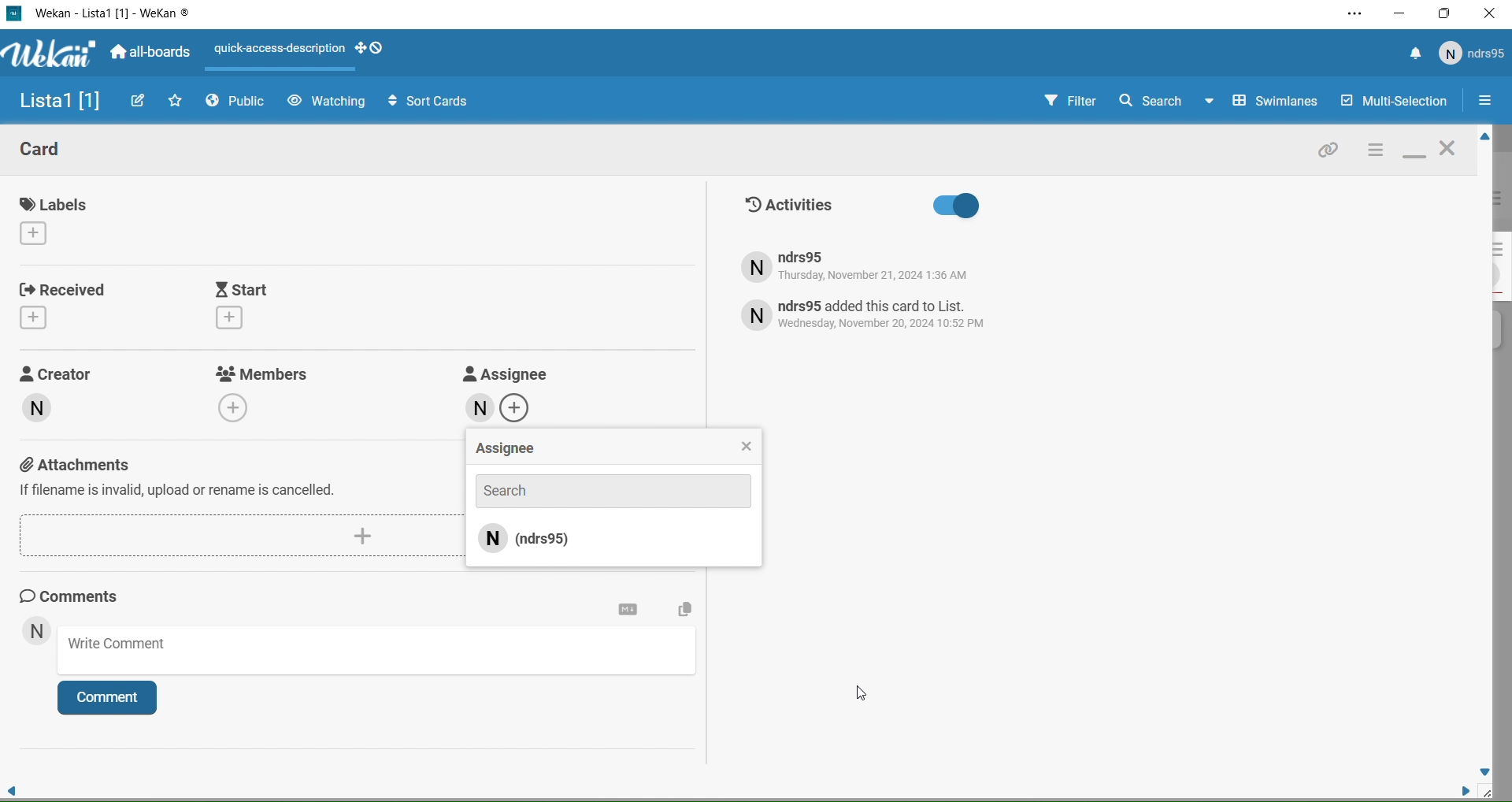  Describe the element at coordinates (284, 306) in the screenshot. I see `Start` at that location.